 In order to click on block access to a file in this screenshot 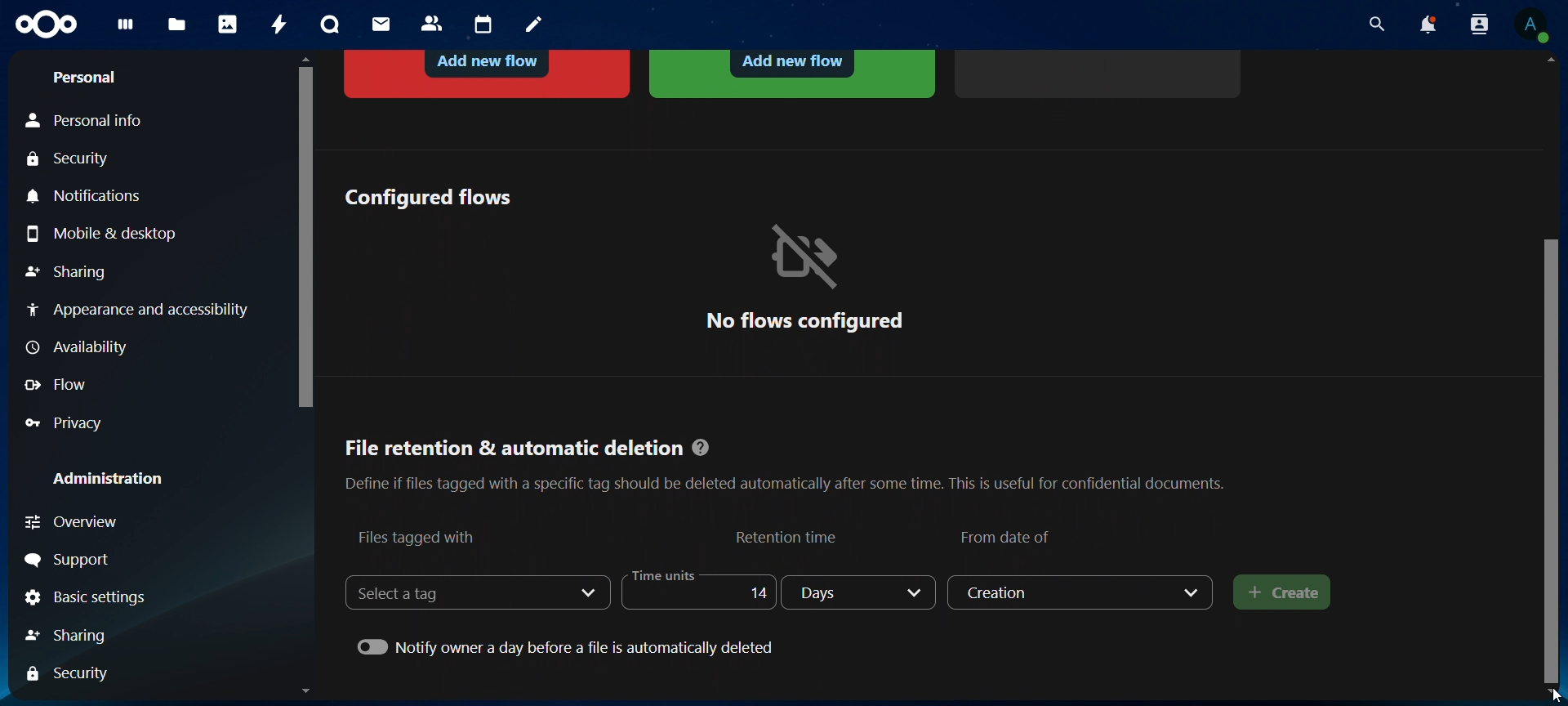, I will do `click(489, 72)`.